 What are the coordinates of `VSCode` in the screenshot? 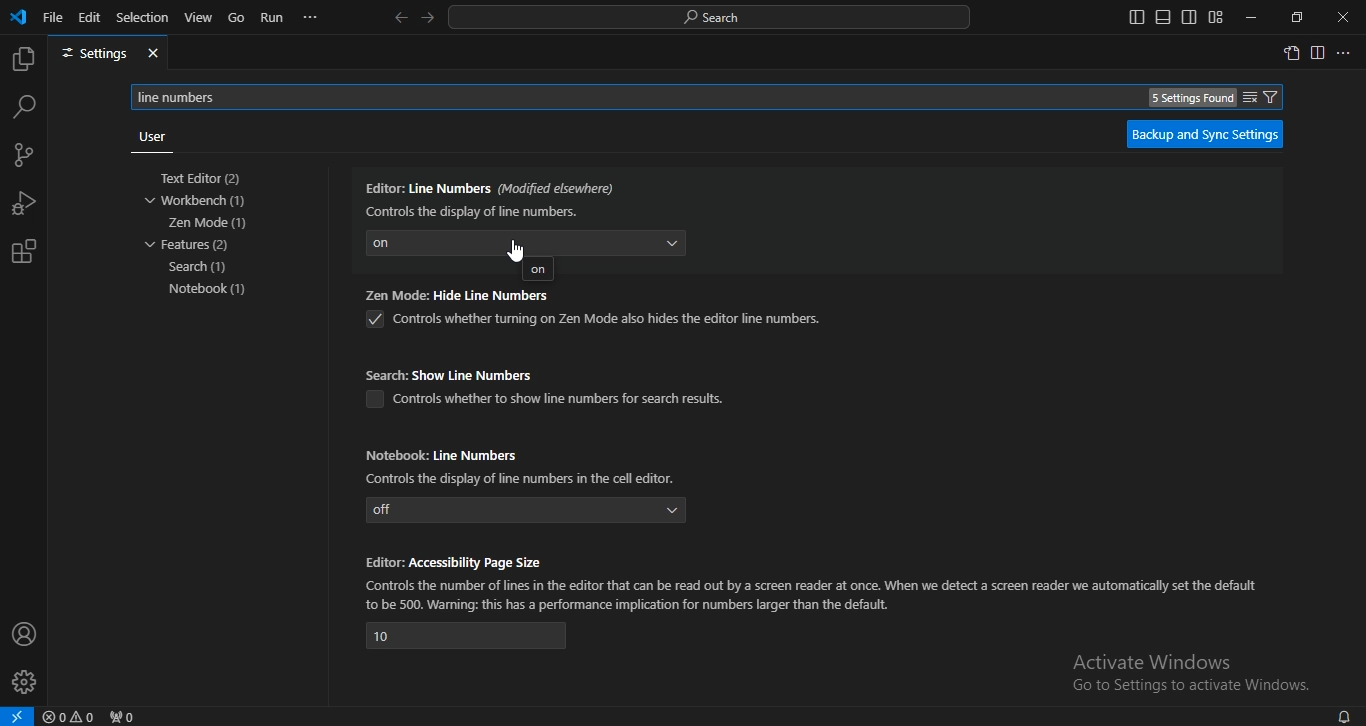 It's located at (18, 17).